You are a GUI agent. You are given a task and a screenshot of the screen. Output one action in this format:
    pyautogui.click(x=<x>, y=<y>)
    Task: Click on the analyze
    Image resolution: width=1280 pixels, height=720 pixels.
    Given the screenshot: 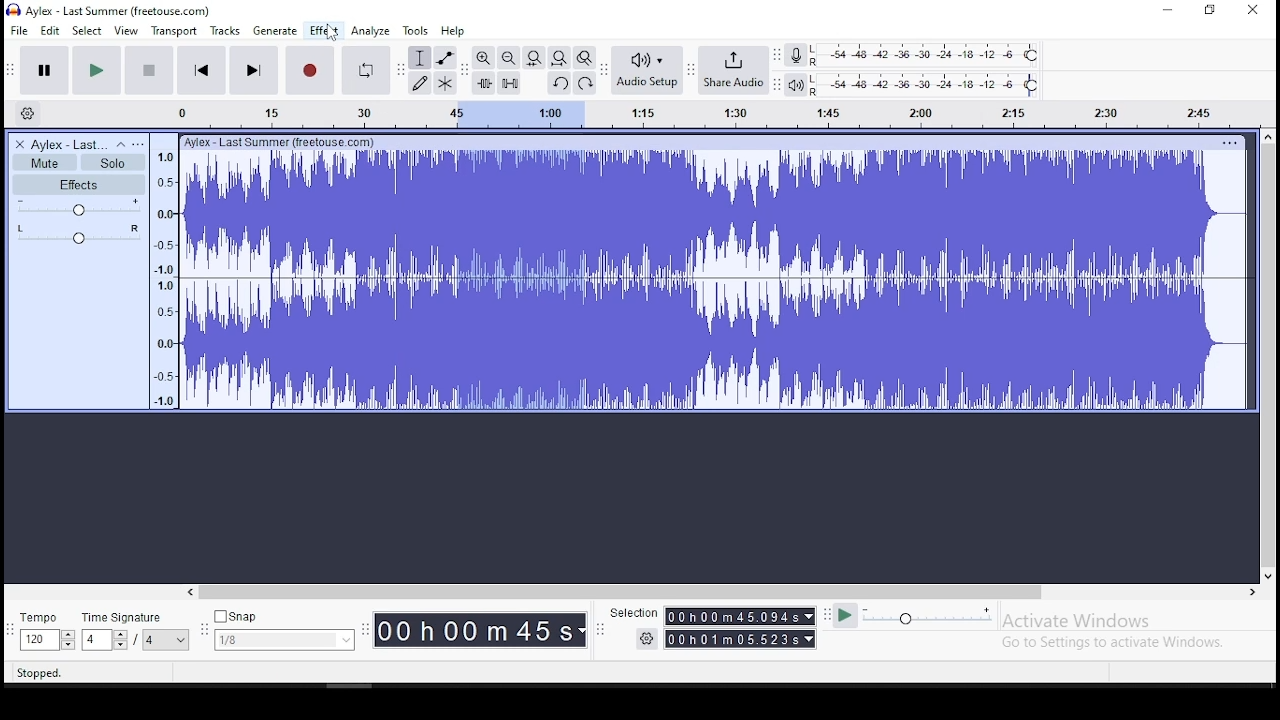 What is the action you would take?
    pyautogui.click(x=372, y=31)
    